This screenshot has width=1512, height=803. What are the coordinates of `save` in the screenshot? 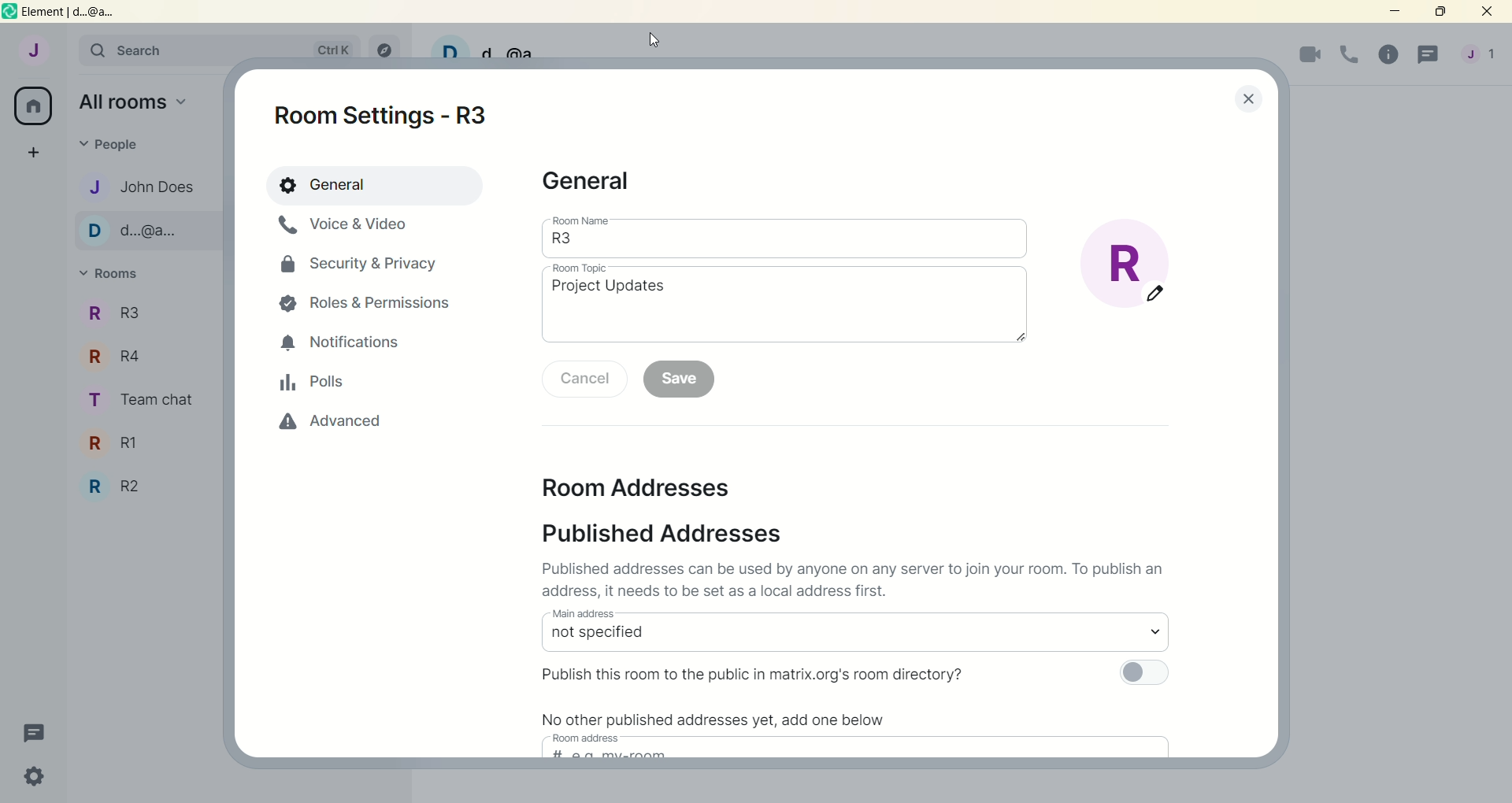 It's located at (679, 379).